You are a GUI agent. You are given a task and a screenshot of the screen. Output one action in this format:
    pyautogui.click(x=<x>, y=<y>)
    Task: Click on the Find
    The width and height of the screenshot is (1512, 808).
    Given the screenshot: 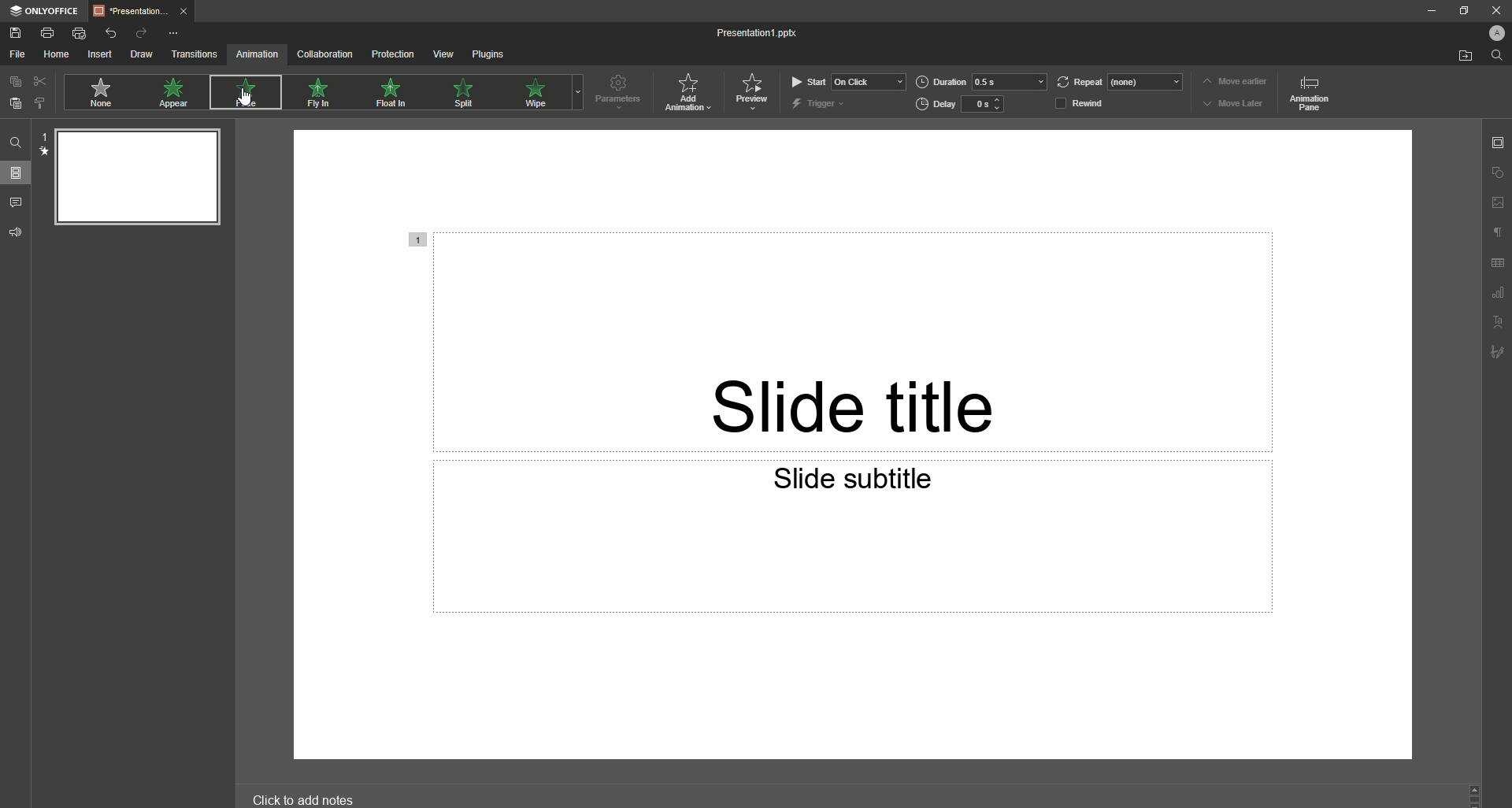 What is the action you would take?
    pyautogui.click(x=16, y=143)
    